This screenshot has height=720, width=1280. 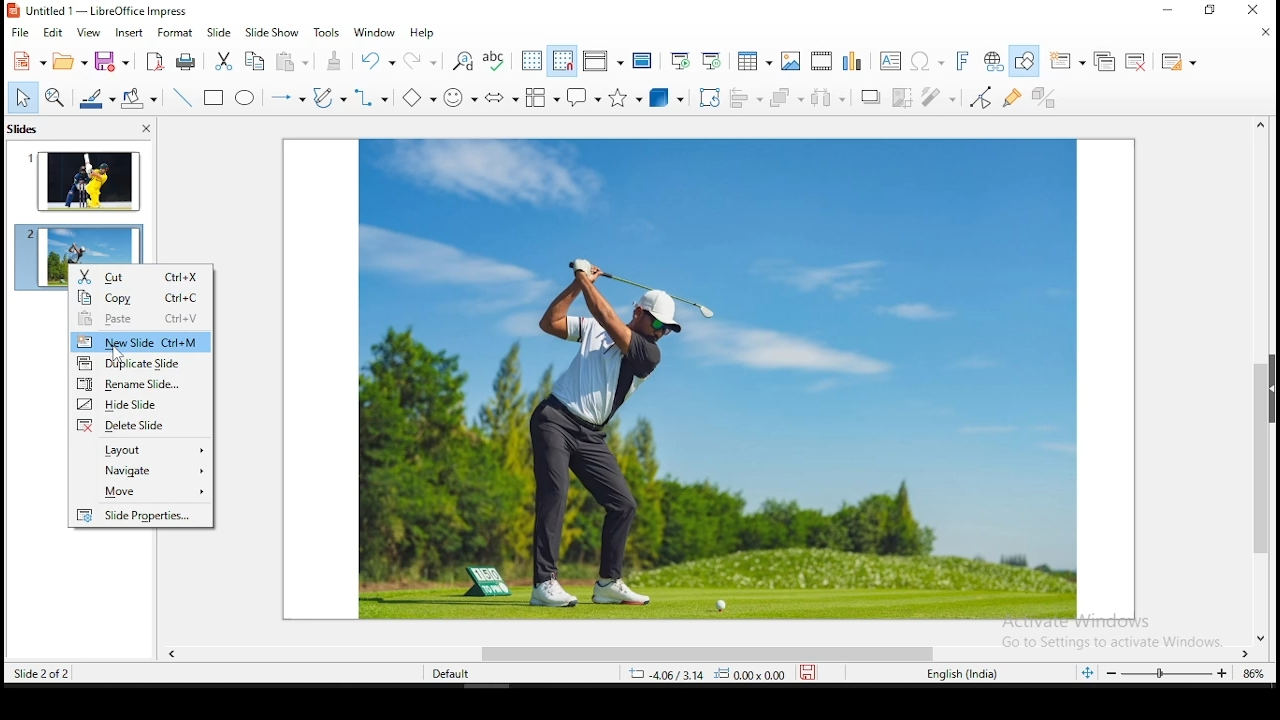 What do you see at coordinates (961, 59) in the screenshot?
I see `insert fontwork text` at bounding box center [961, 59].